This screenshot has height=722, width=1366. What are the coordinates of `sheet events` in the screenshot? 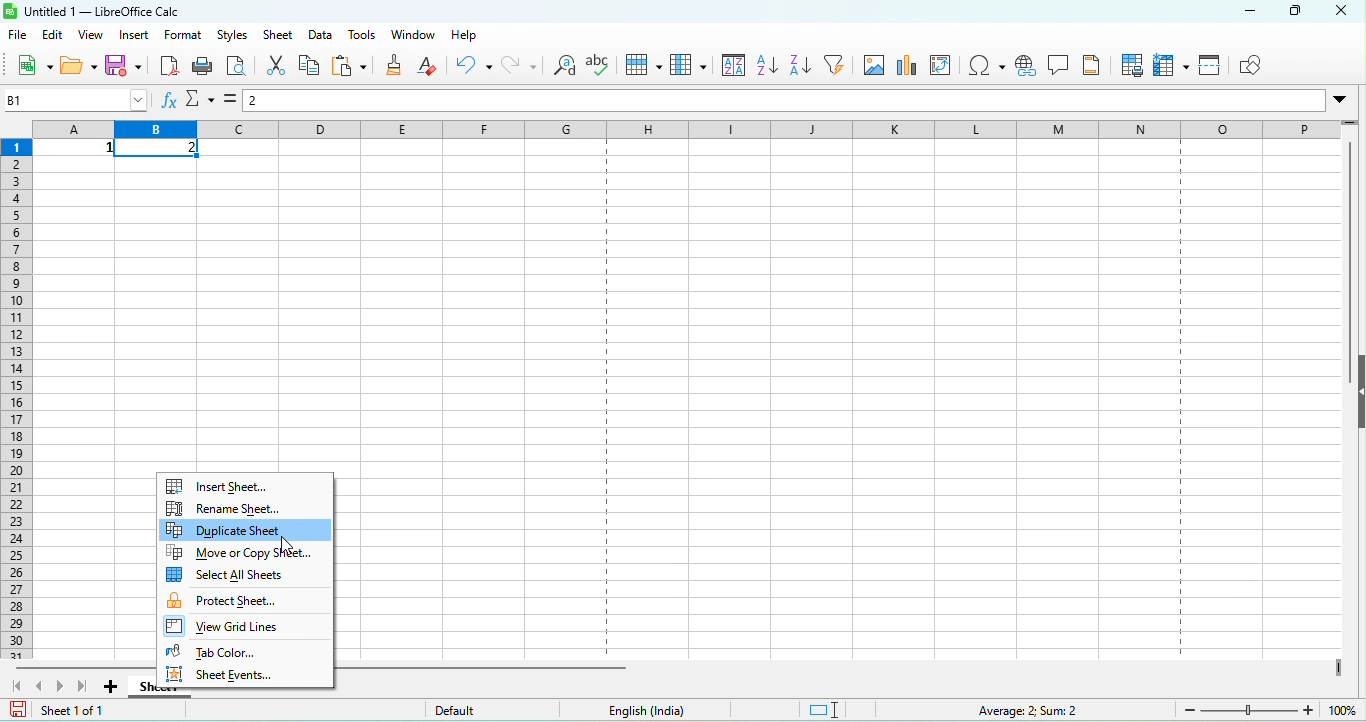 It's located at (249, 678).